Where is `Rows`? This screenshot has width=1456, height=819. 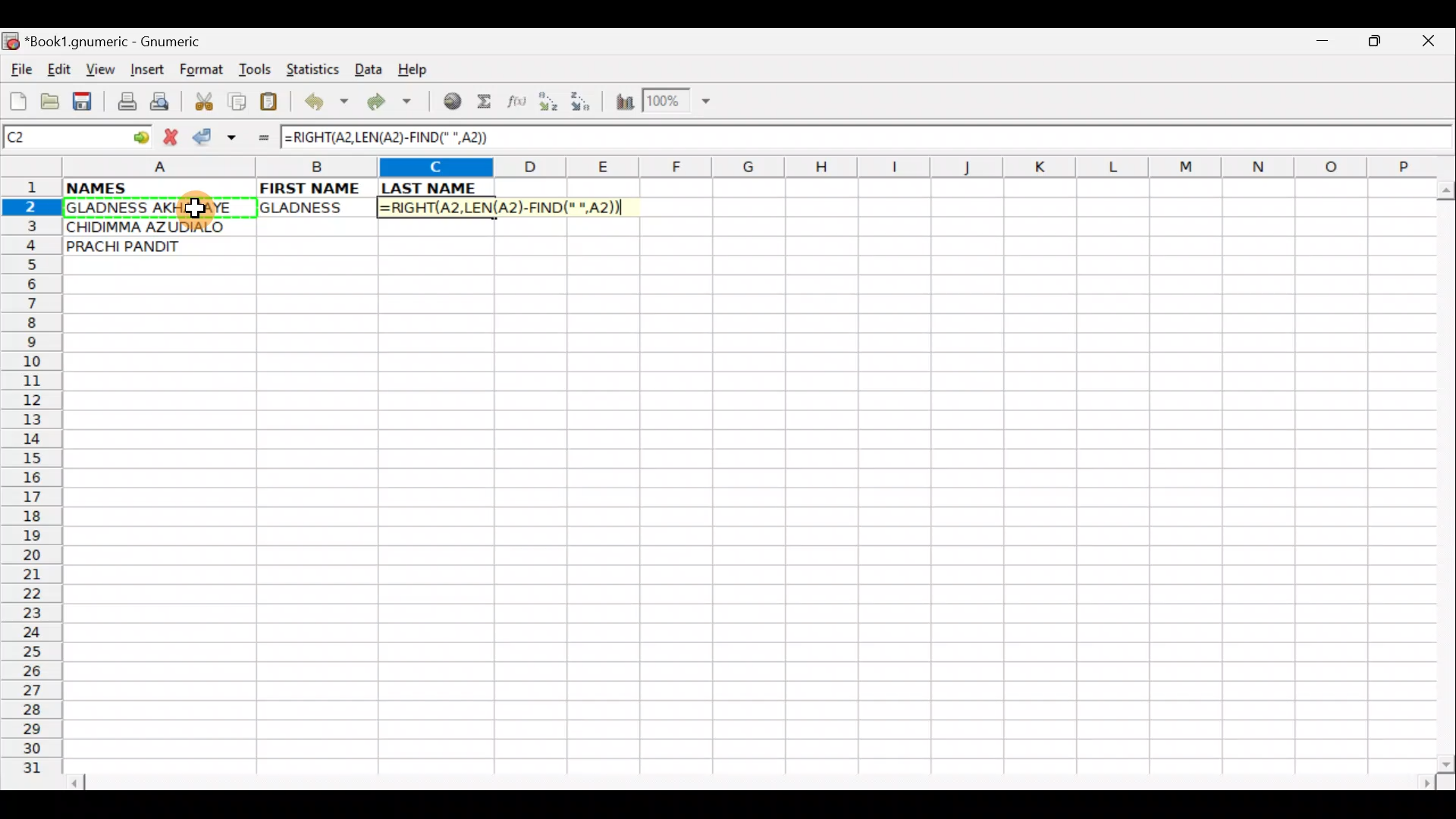
Rows is located at coordinates (32, 482).